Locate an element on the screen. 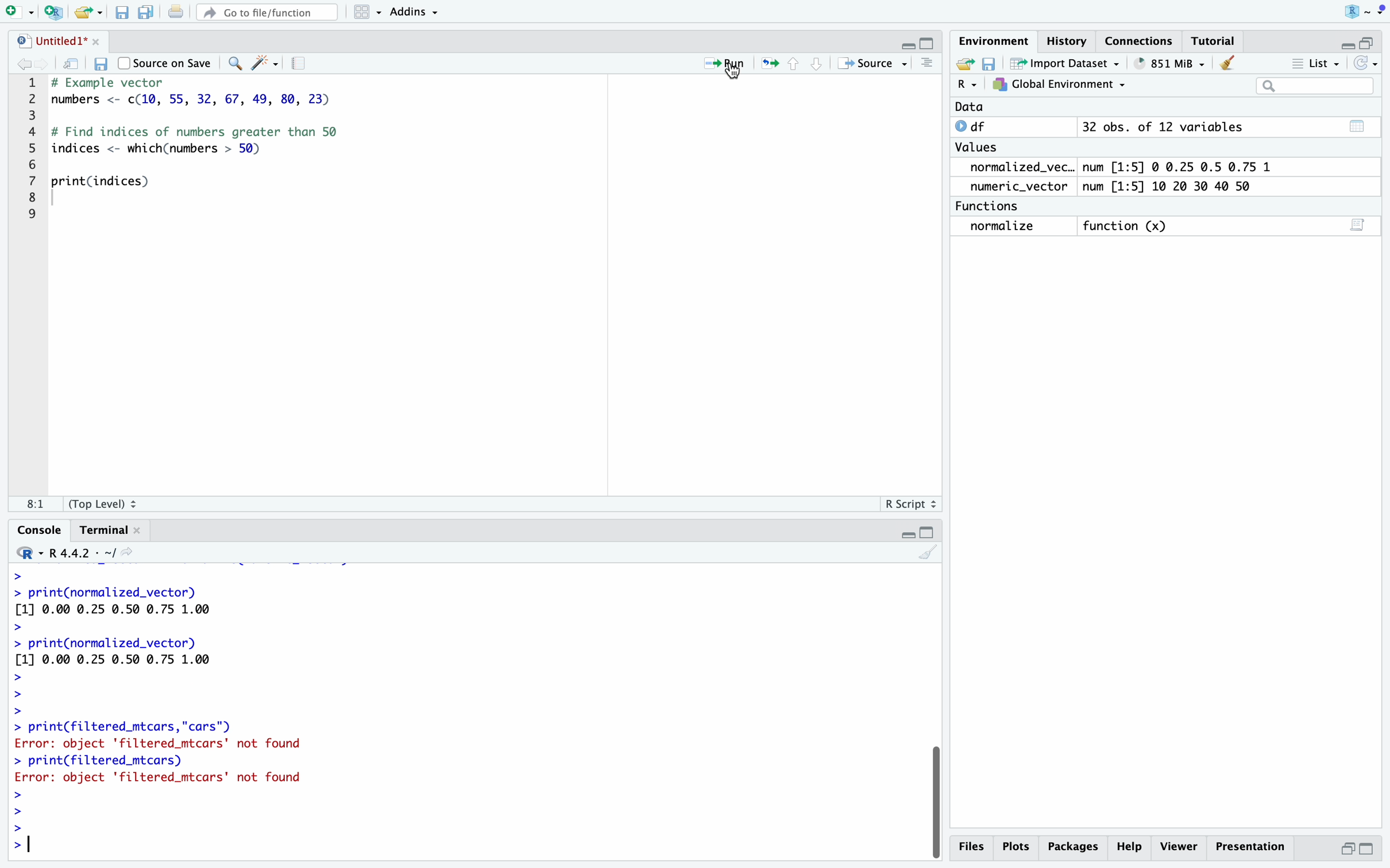 The image size is (1390, 868). MINIMISE is located at coordinates (907, 41).